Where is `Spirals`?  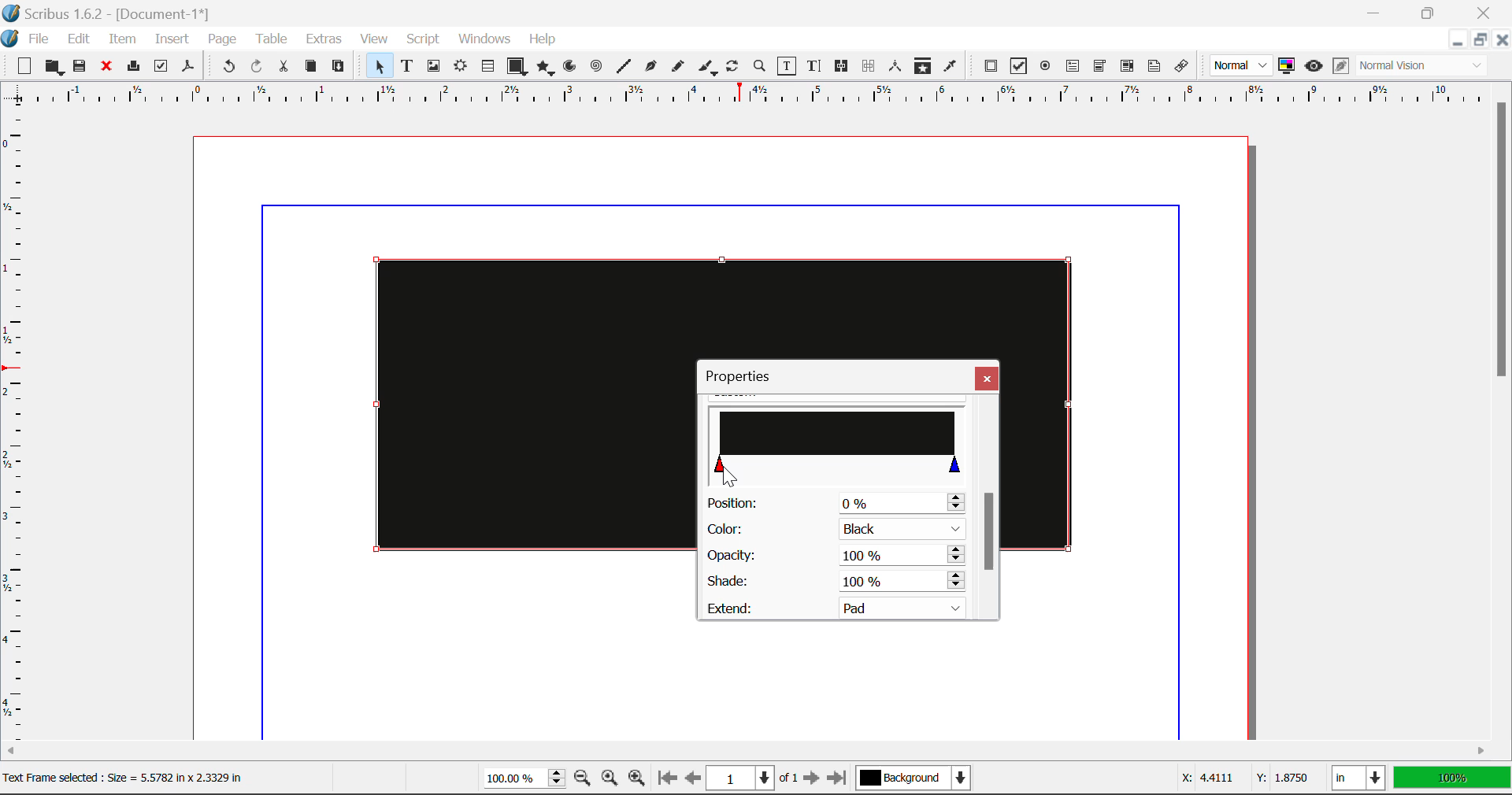
Spirals is located at coordinates (595, 68).